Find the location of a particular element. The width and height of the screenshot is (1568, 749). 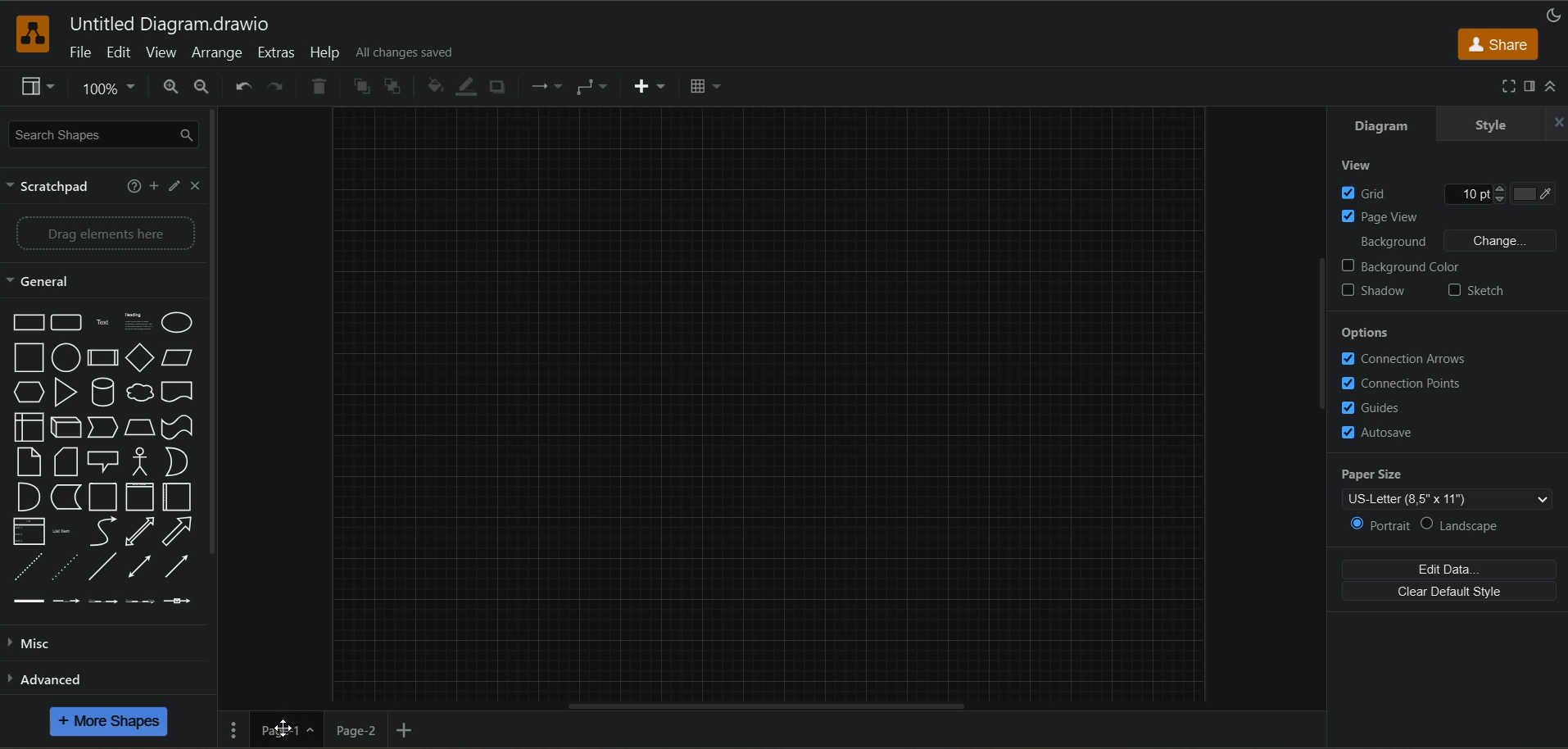

edit is located at coordinates (172, 186).